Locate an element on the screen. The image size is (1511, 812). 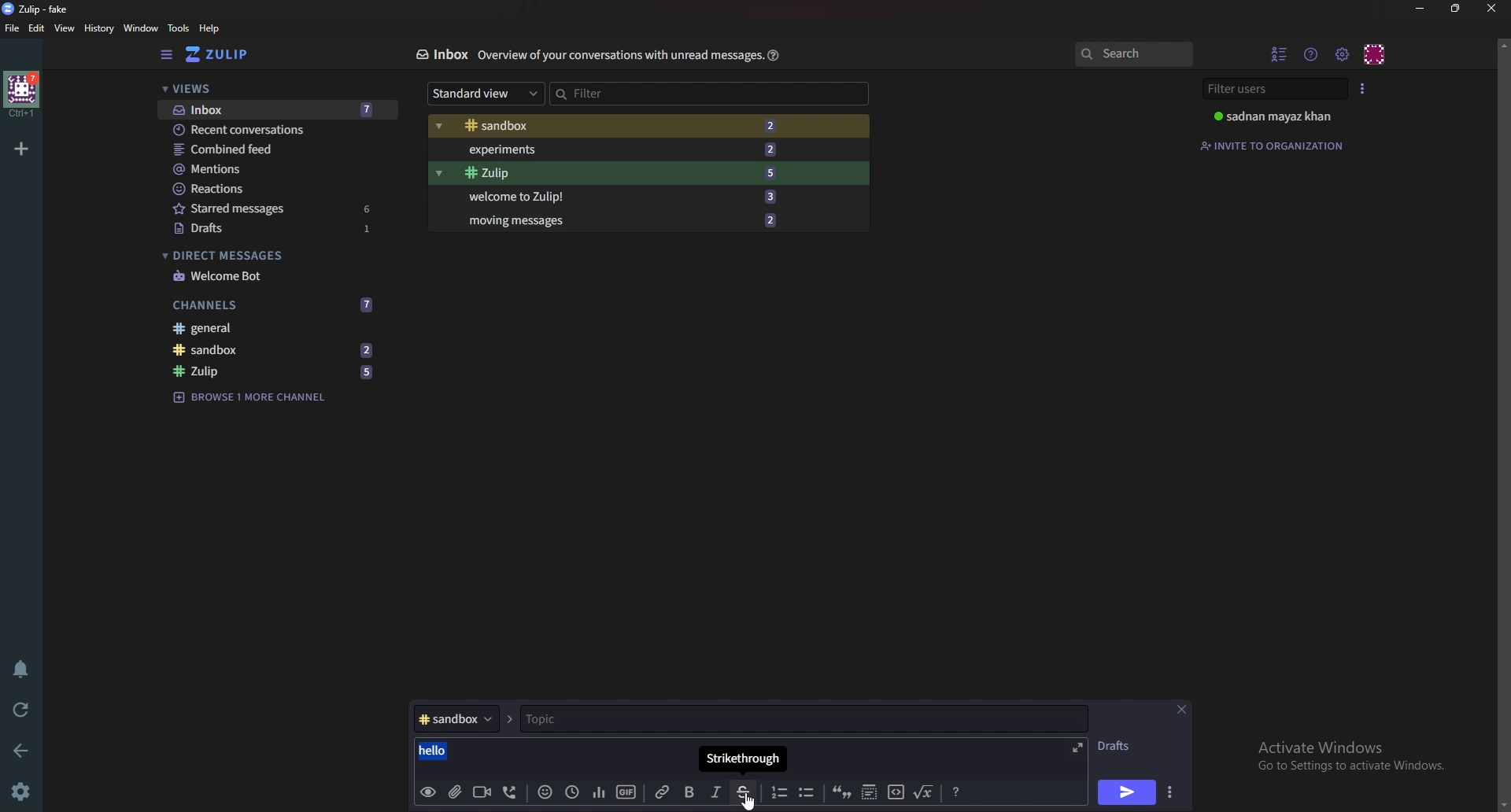
Sandbox is located at coordinates (619, 127).